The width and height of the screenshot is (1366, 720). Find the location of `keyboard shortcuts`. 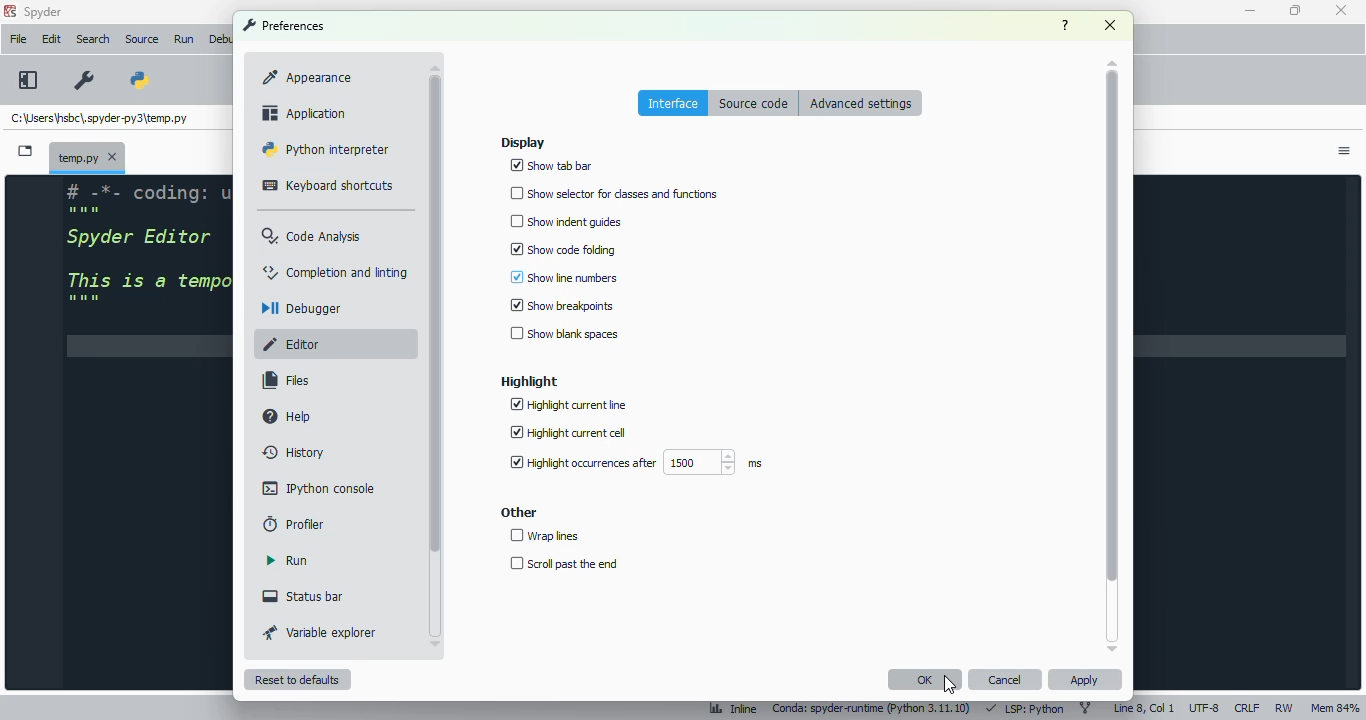

keyboard shortcuts is located at coordinates (329, 187).